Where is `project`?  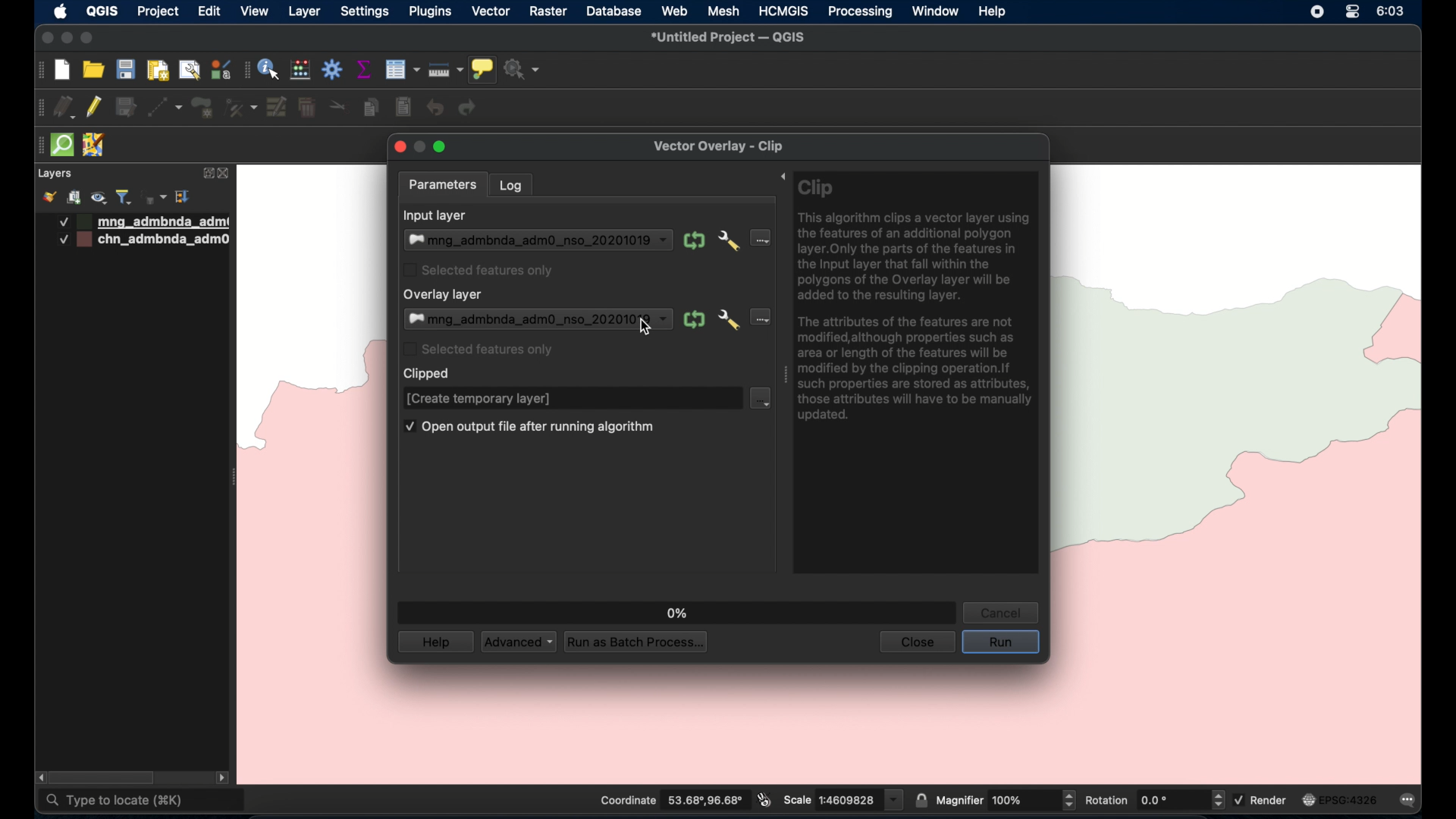
project is located at coordinates (157, 13).